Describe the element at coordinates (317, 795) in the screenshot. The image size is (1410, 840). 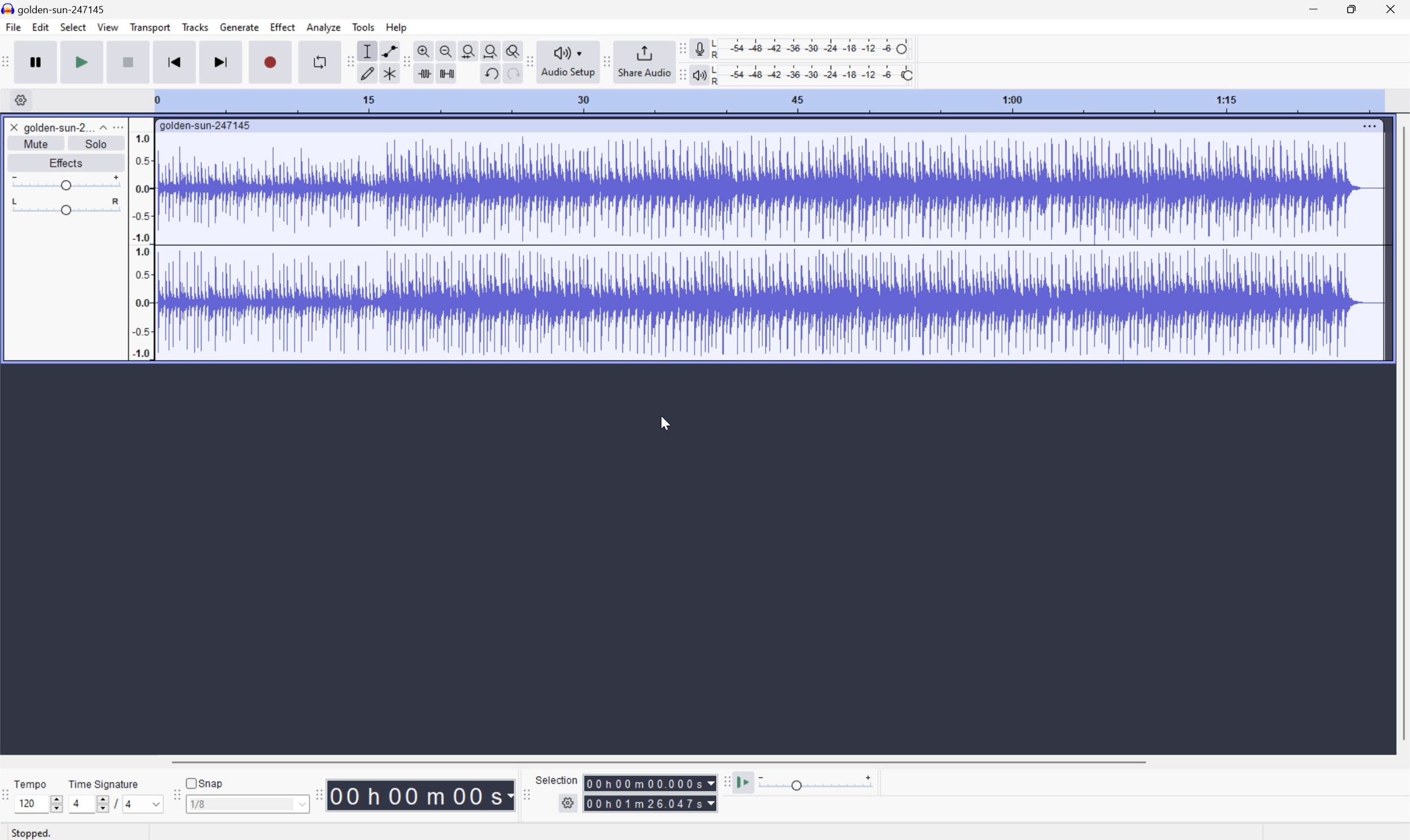
I see `Audacity Time toolbar` at that location.